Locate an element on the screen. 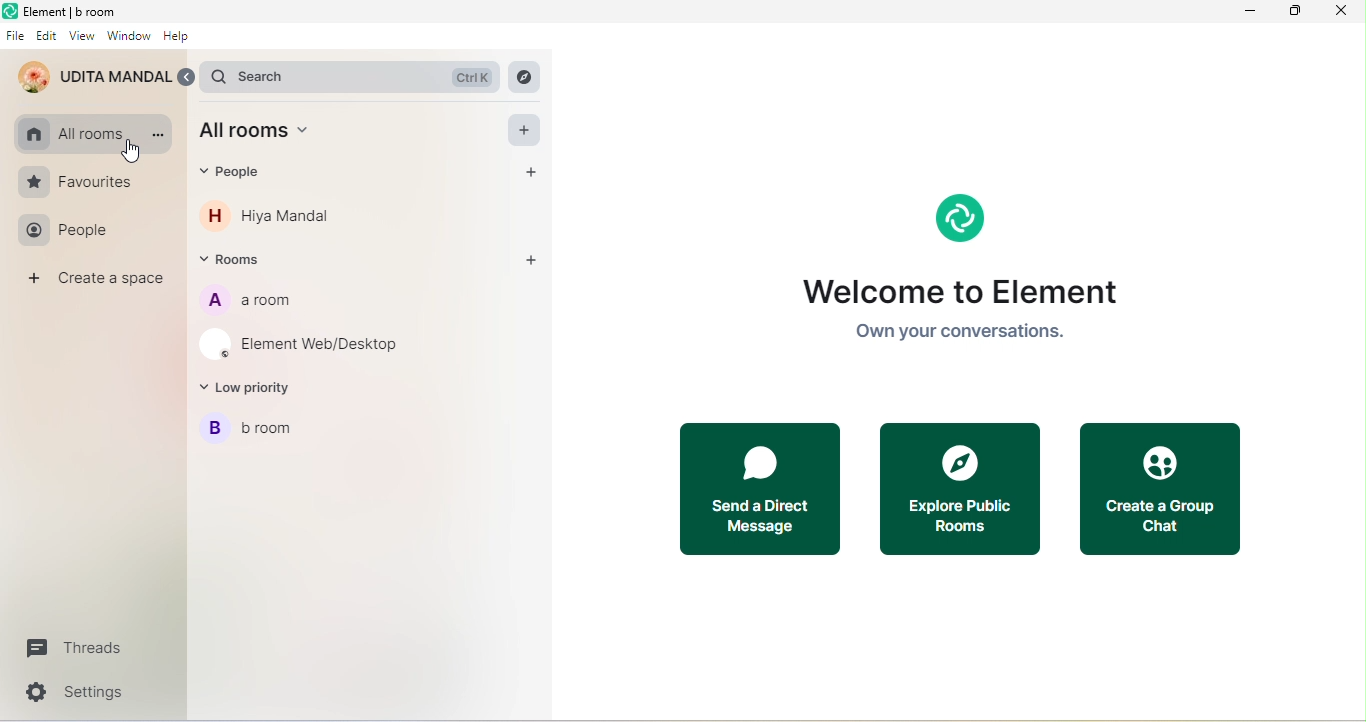  edit is located at coordinates (47, 36).